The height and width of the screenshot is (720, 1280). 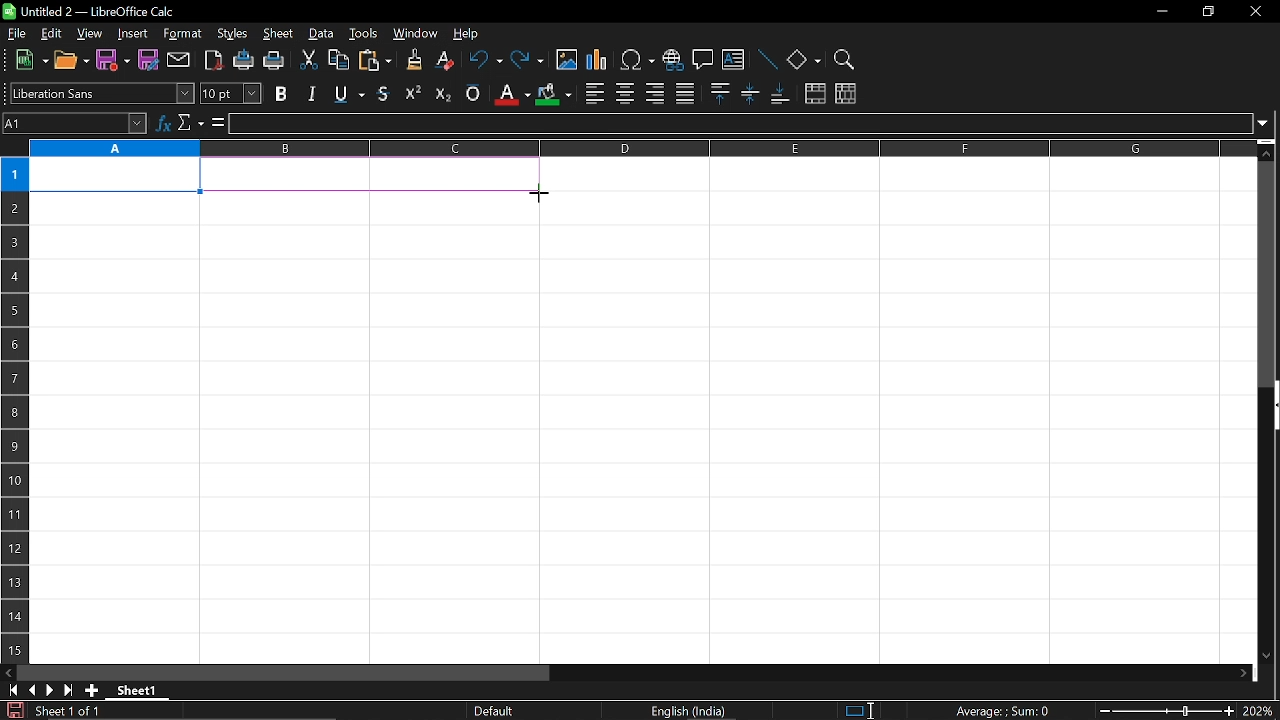 I want to click on text size, so click(x=231, y=93).